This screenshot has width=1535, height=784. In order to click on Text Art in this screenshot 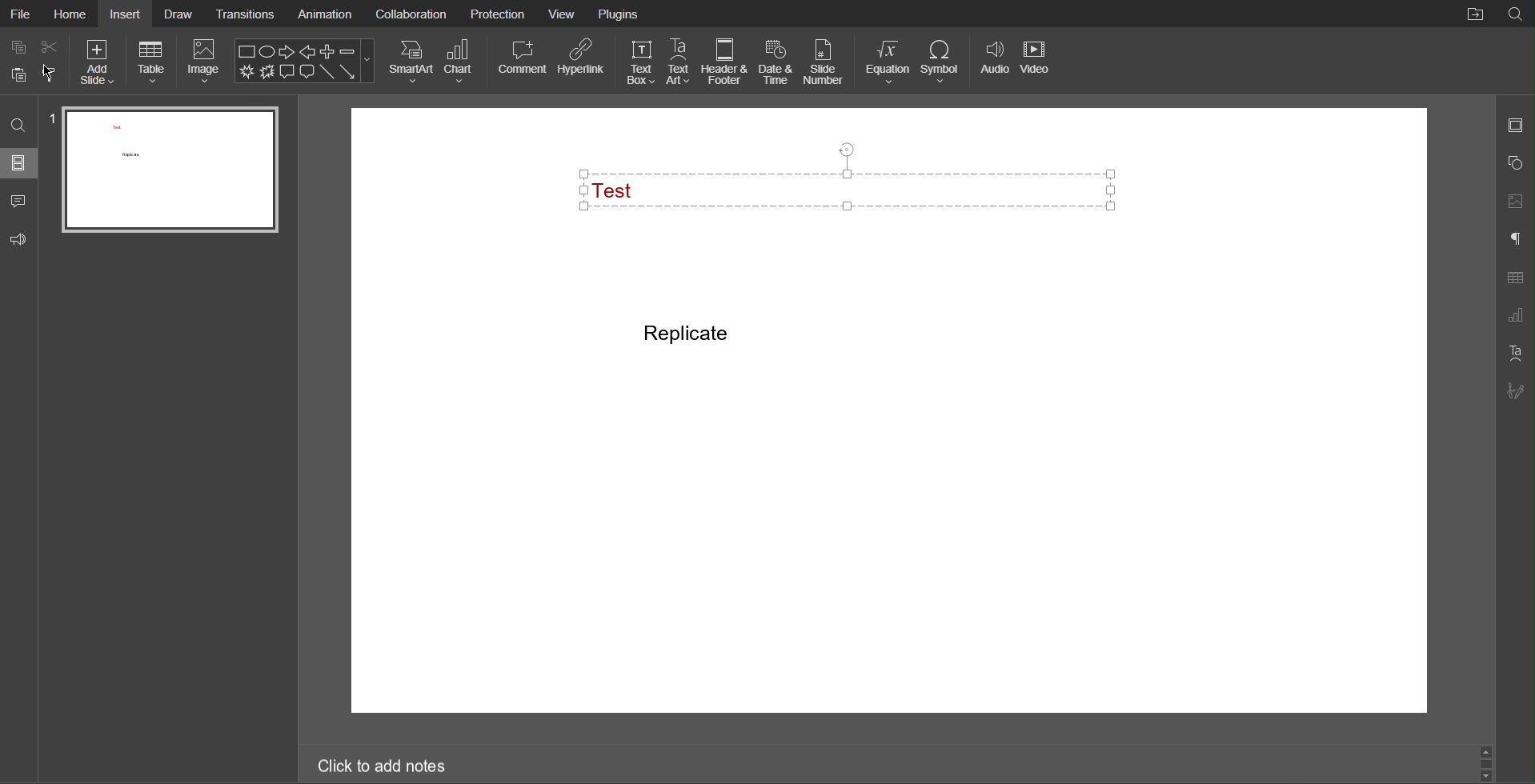, I will do `click(679, 62)`.